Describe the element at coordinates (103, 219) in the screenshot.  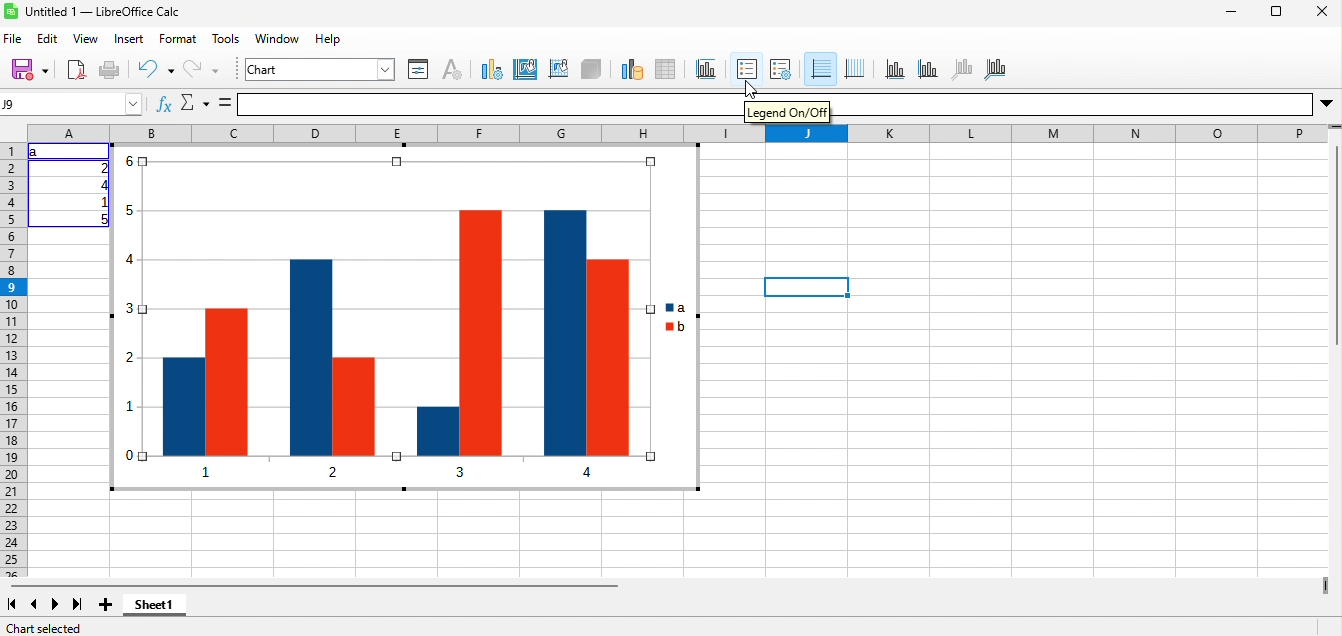
I see `5` at that location.